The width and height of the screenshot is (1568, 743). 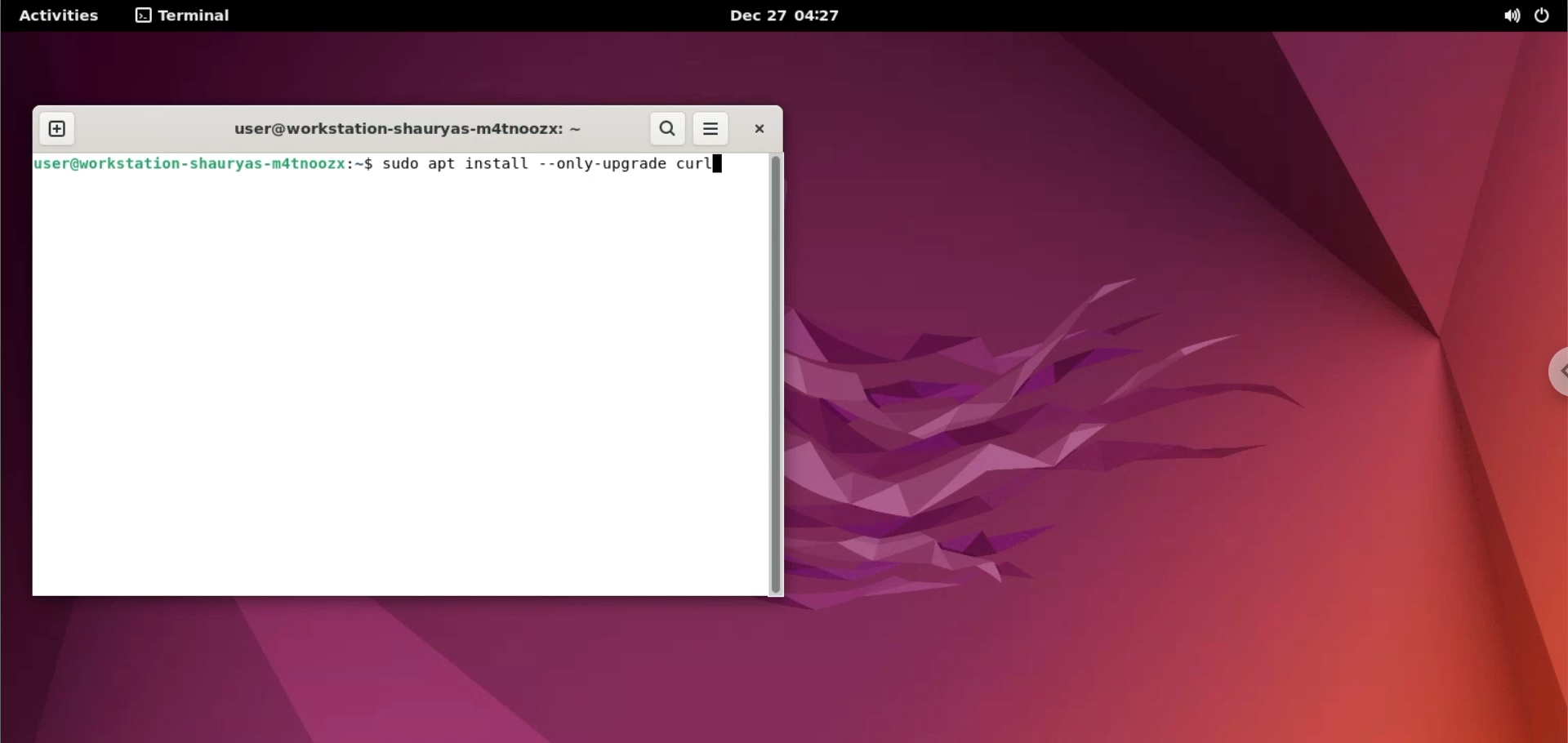 What do you see at coordinates (184, 16) in the screenshot?
I see `terminal` at bounding box center [184, 16].